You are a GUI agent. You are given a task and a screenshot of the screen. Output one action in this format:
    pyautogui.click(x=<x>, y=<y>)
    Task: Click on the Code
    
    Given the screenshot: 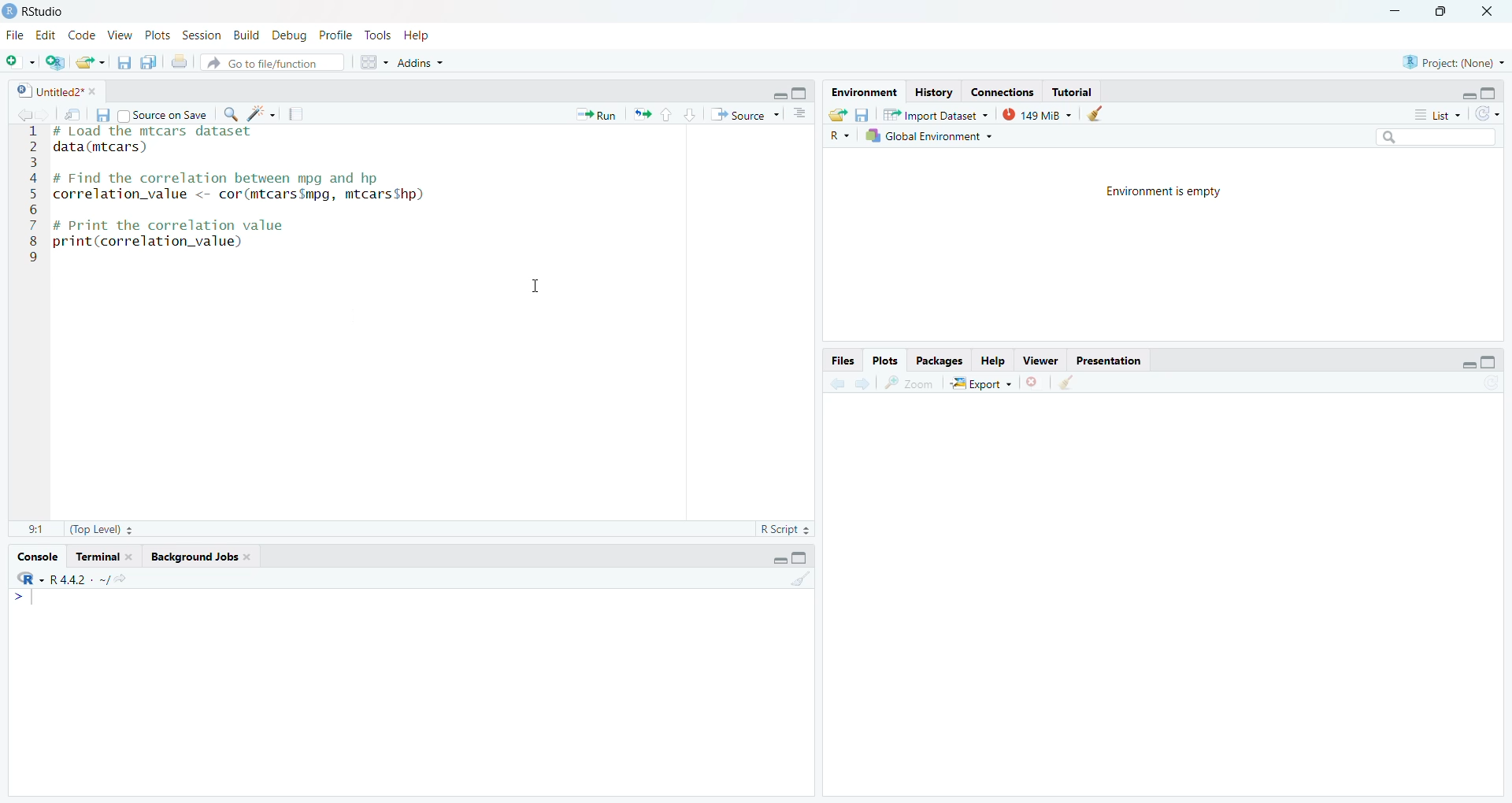 What is the action you would take?
    pyautogui.click(x=83, y=36)
    